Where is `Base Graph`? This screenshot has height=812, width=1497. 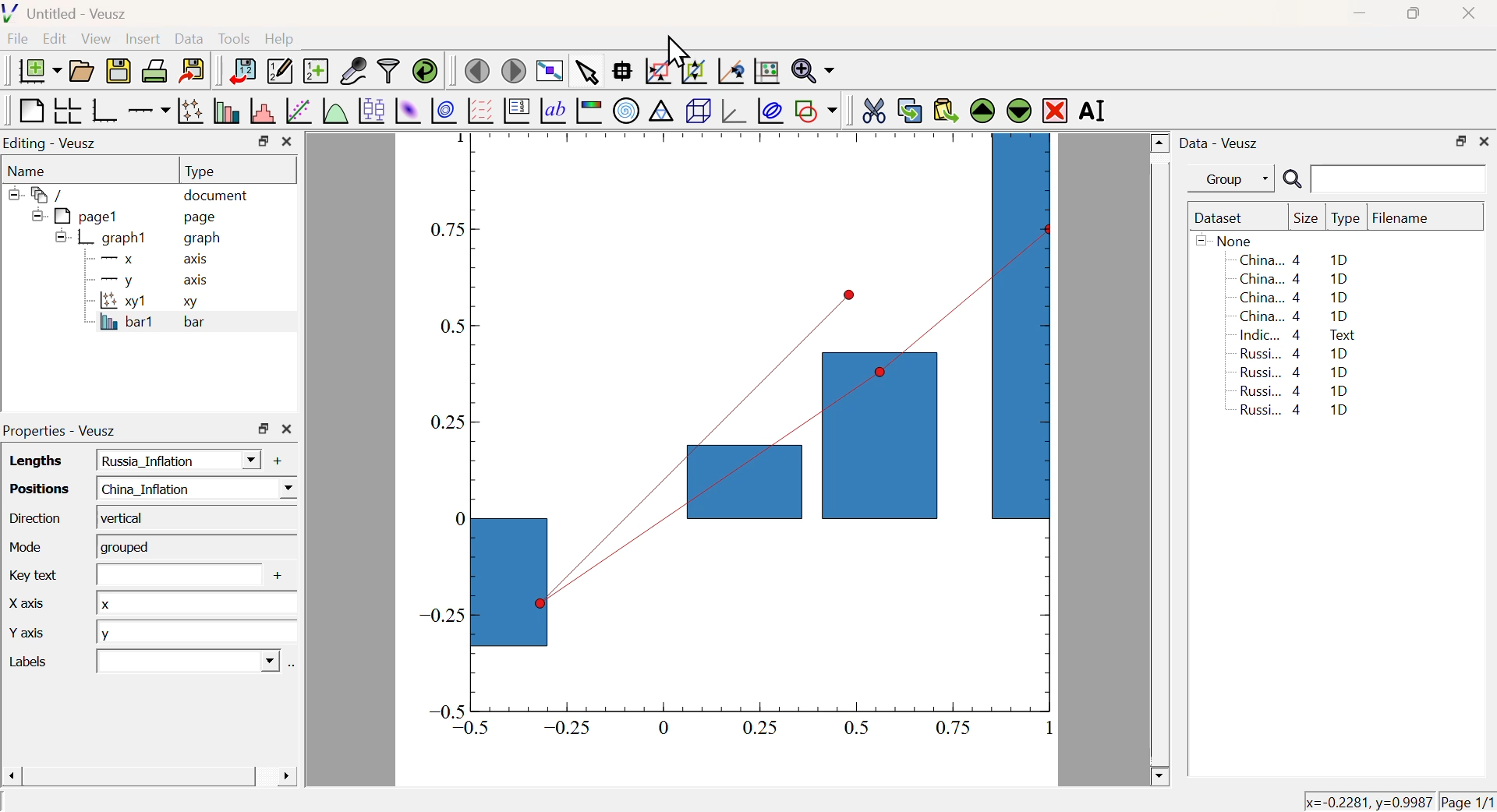 Base Graph is located at coordinates (103, 110).